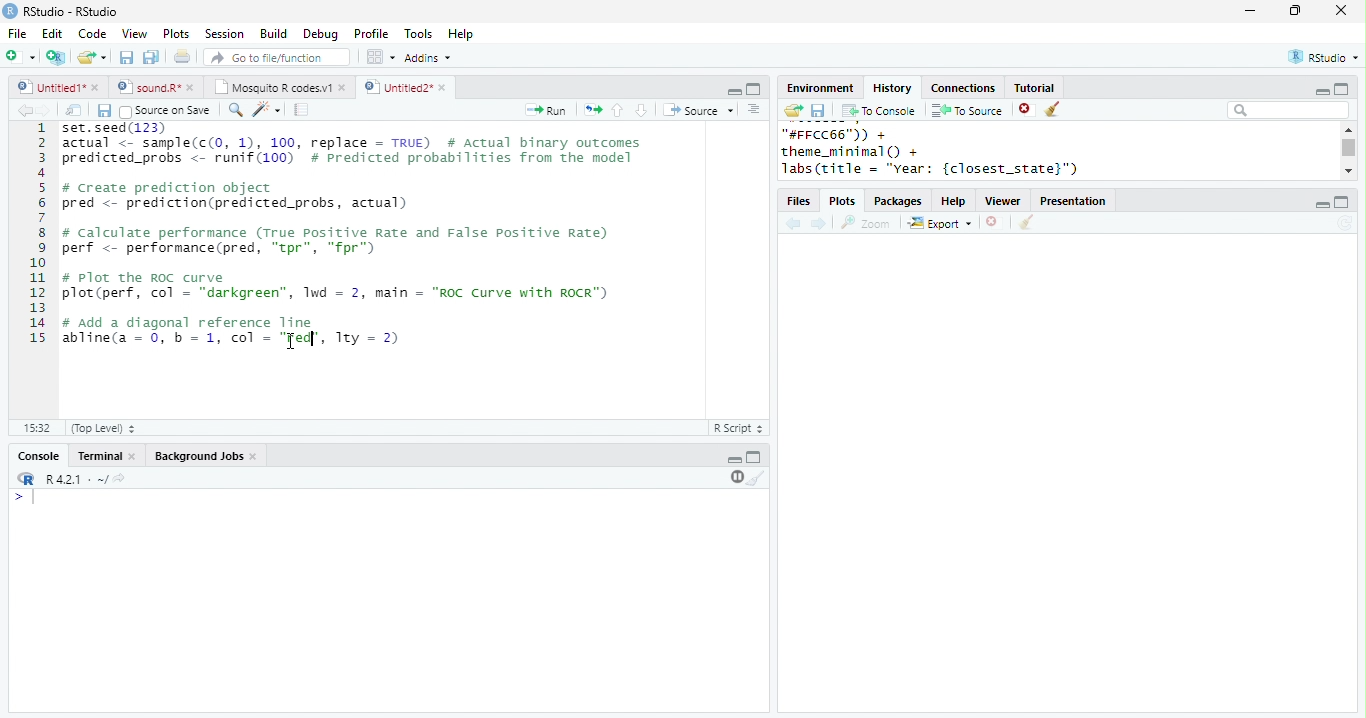 The image size is (1366, 718). I want to click on compile report, so click(302, 109).